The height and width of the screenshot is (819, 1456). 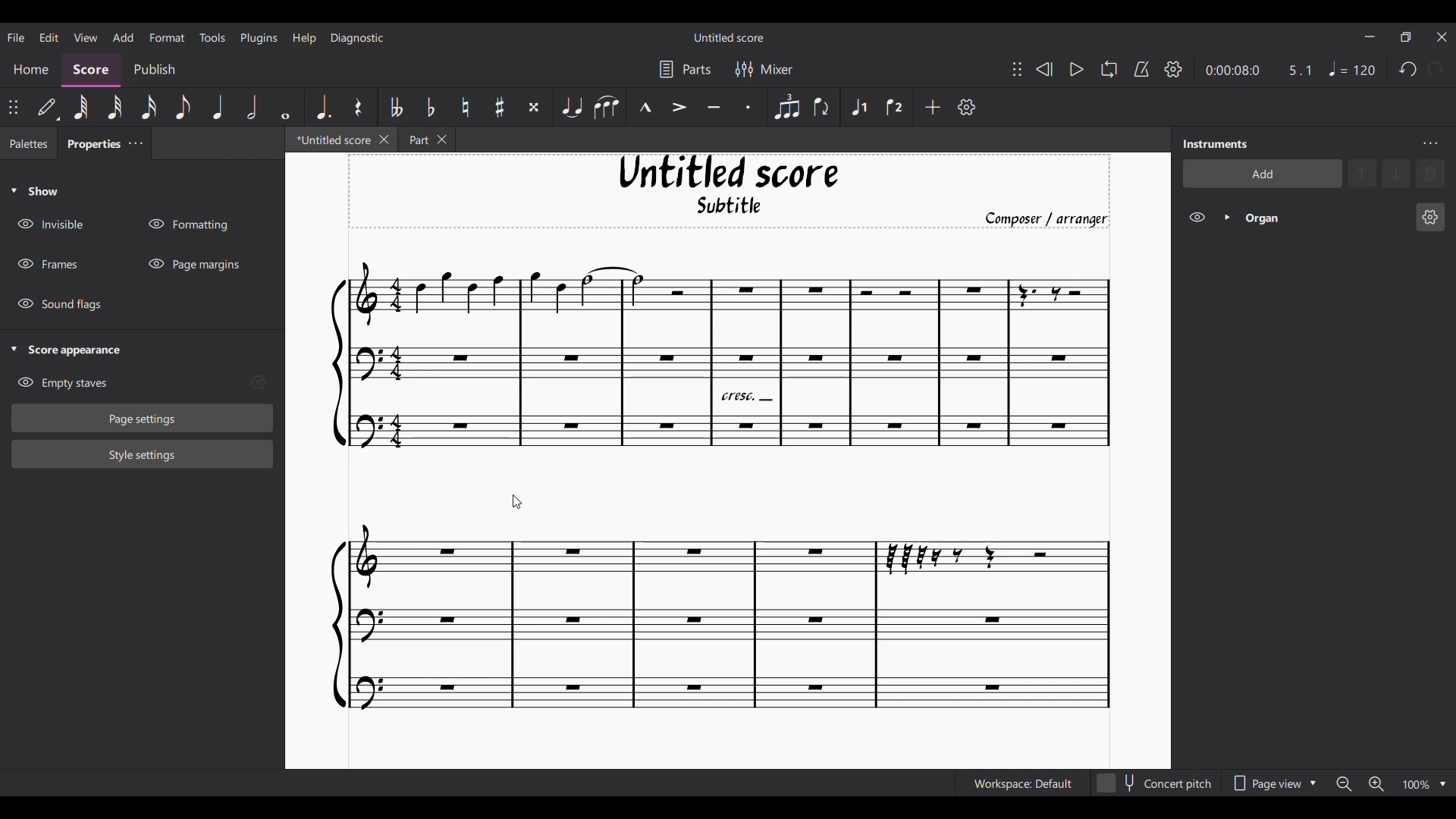 I want to click on Palette tab, so click(x=27, y=144).